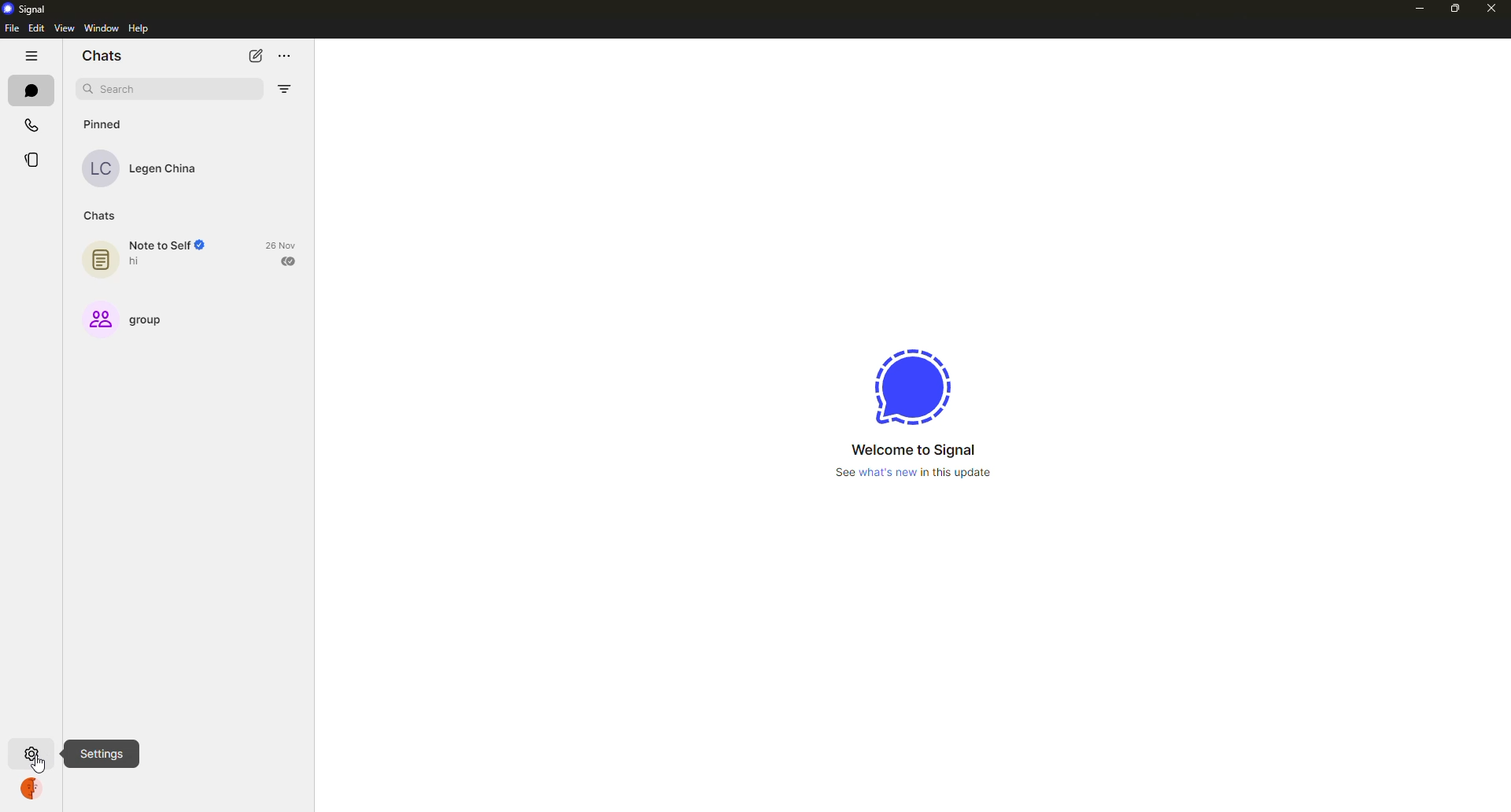  What do you see at coordinates (910, 448) in the screenshot?
I see `Welcome to Signal` at bounding box center [910, 448].